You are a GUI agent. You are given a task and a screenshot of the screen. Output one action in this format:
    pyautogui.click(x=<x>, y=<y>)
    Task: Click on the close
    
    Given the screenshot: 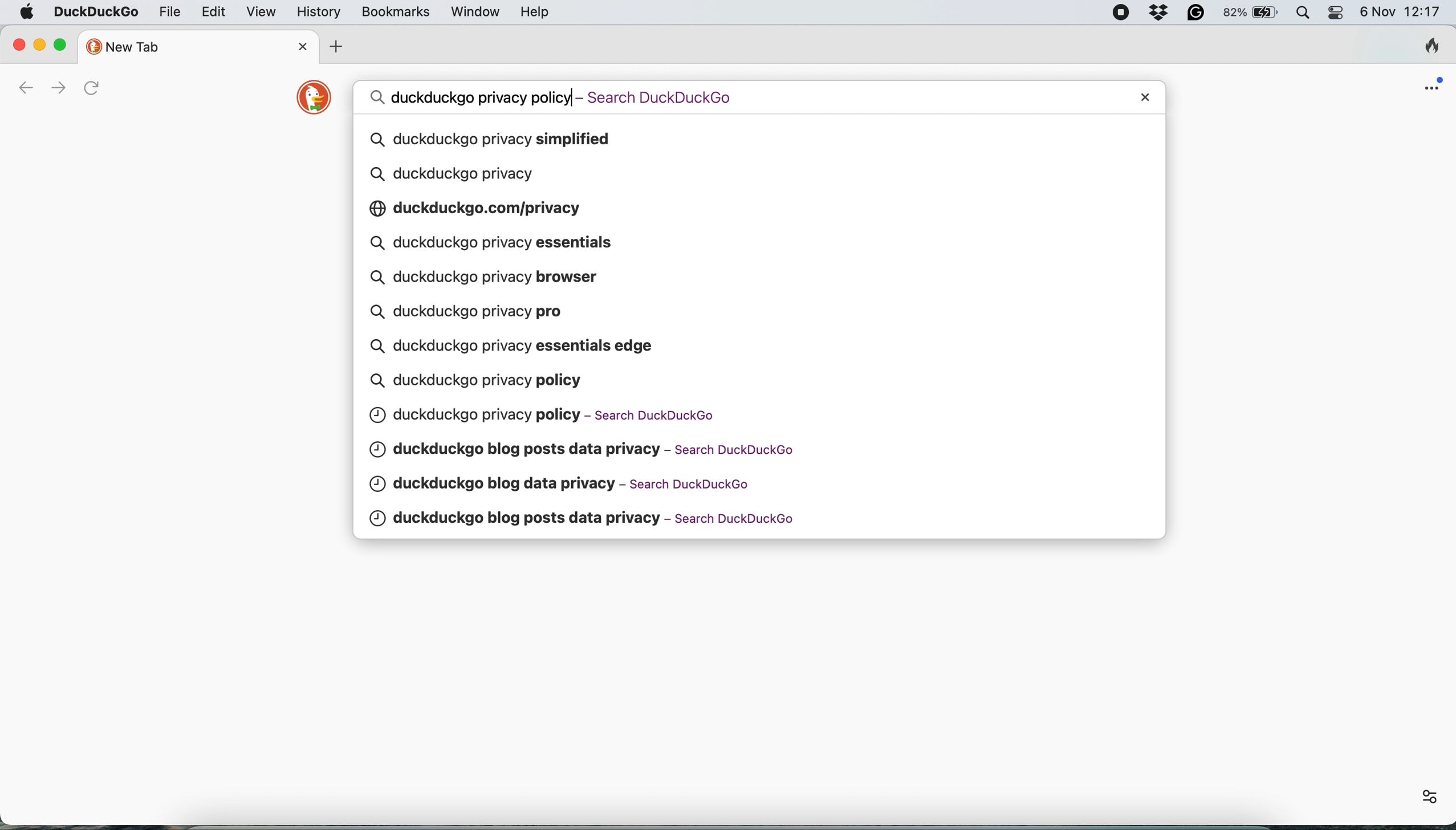 What is the action you would take?
    pyautogui.click(x=302, y=46)
    